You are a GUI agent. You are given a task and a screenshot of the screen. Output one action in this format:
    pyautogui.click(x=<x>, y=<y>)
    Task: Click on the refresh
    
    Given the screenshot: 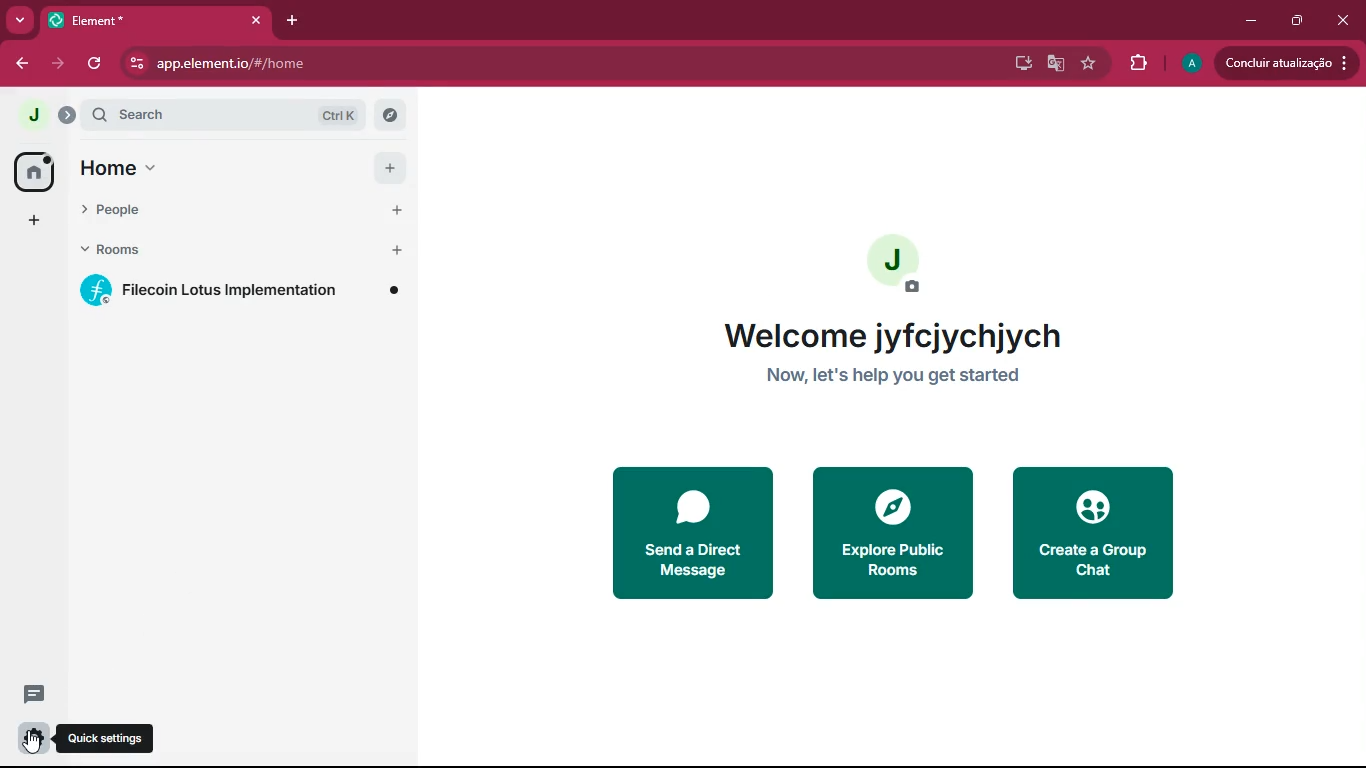 What is the action you would take?
    pyautogui.click(x=96, y=64)
    